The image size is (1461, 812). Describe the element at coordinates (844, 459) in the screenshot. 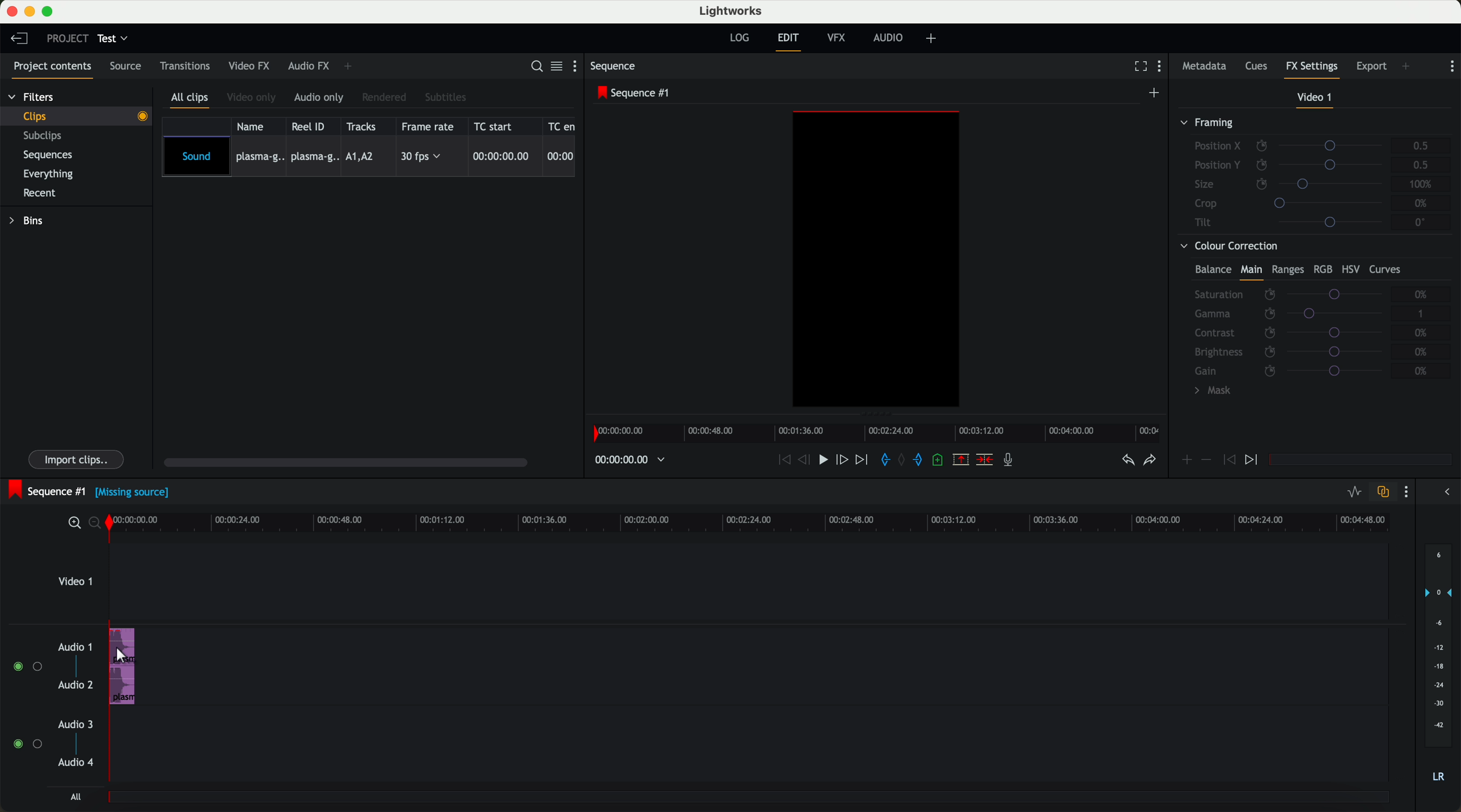

I see `nudge one frame foward` at that location.